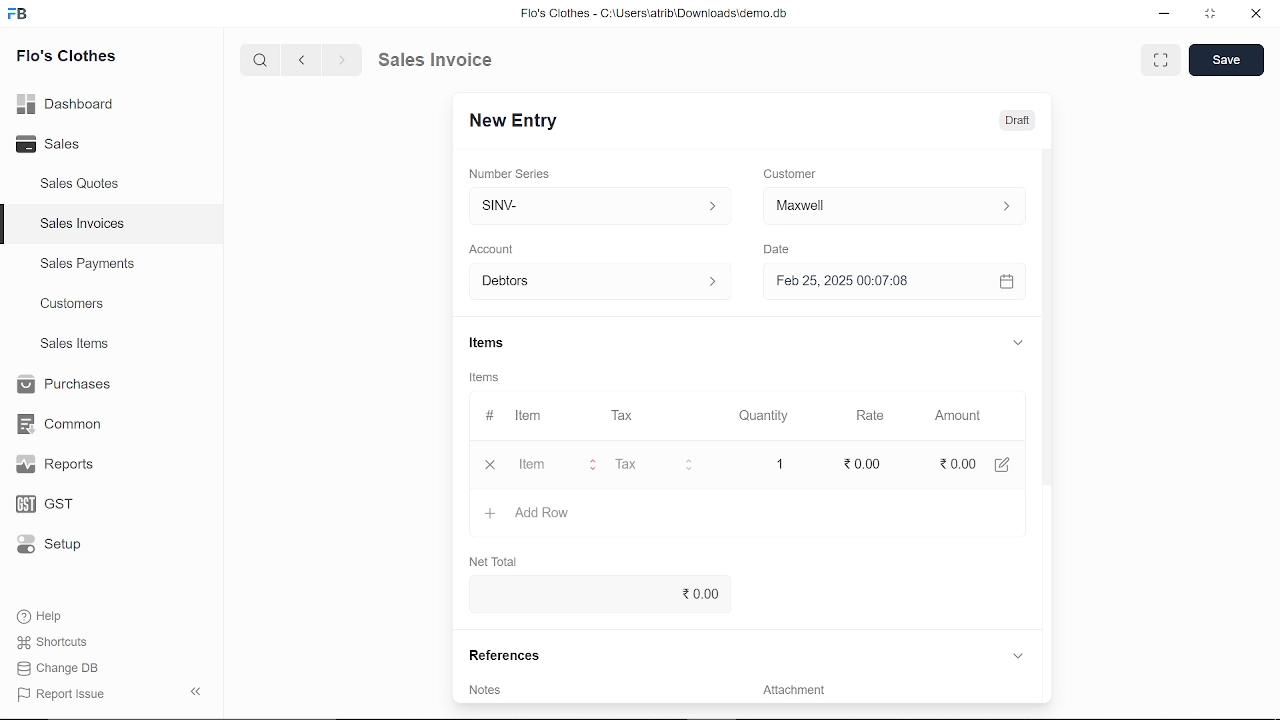 The image size is (1280, 720). I want to click on Sales Quotes, so click(82, 186).